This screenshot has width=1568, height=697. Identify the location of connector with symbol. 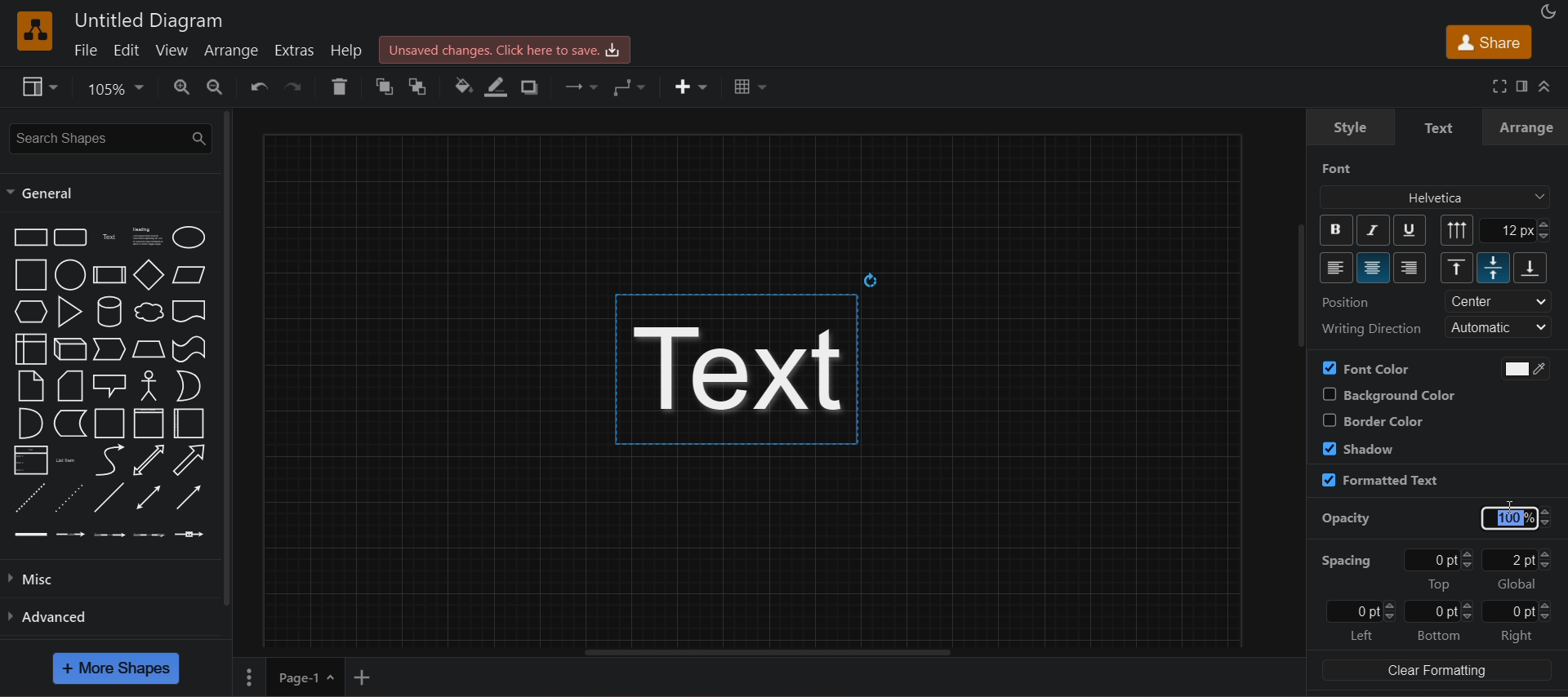
(190, 535).